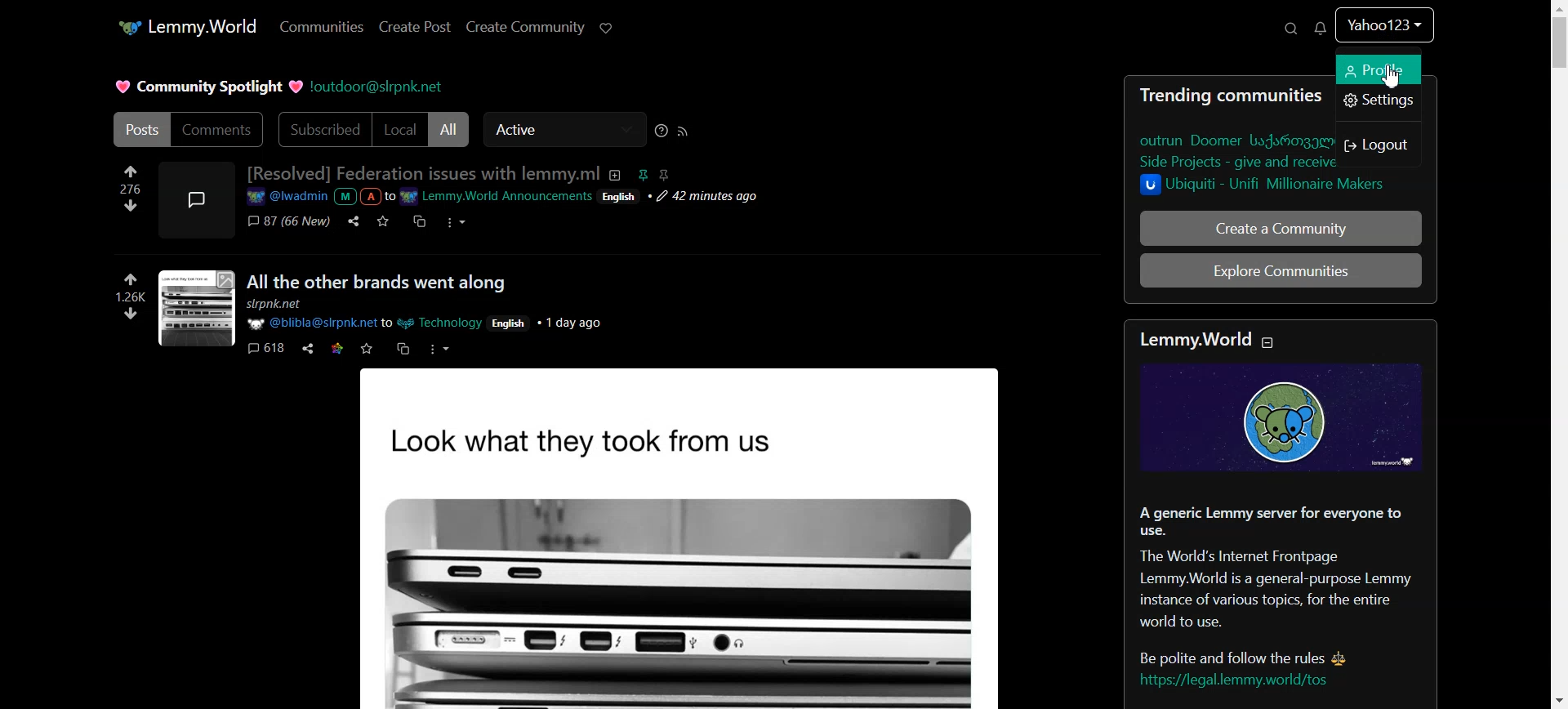  What do you see at coordinates (456, 221) in the screenshot?
I see `More` at bounding box center [456, 221].